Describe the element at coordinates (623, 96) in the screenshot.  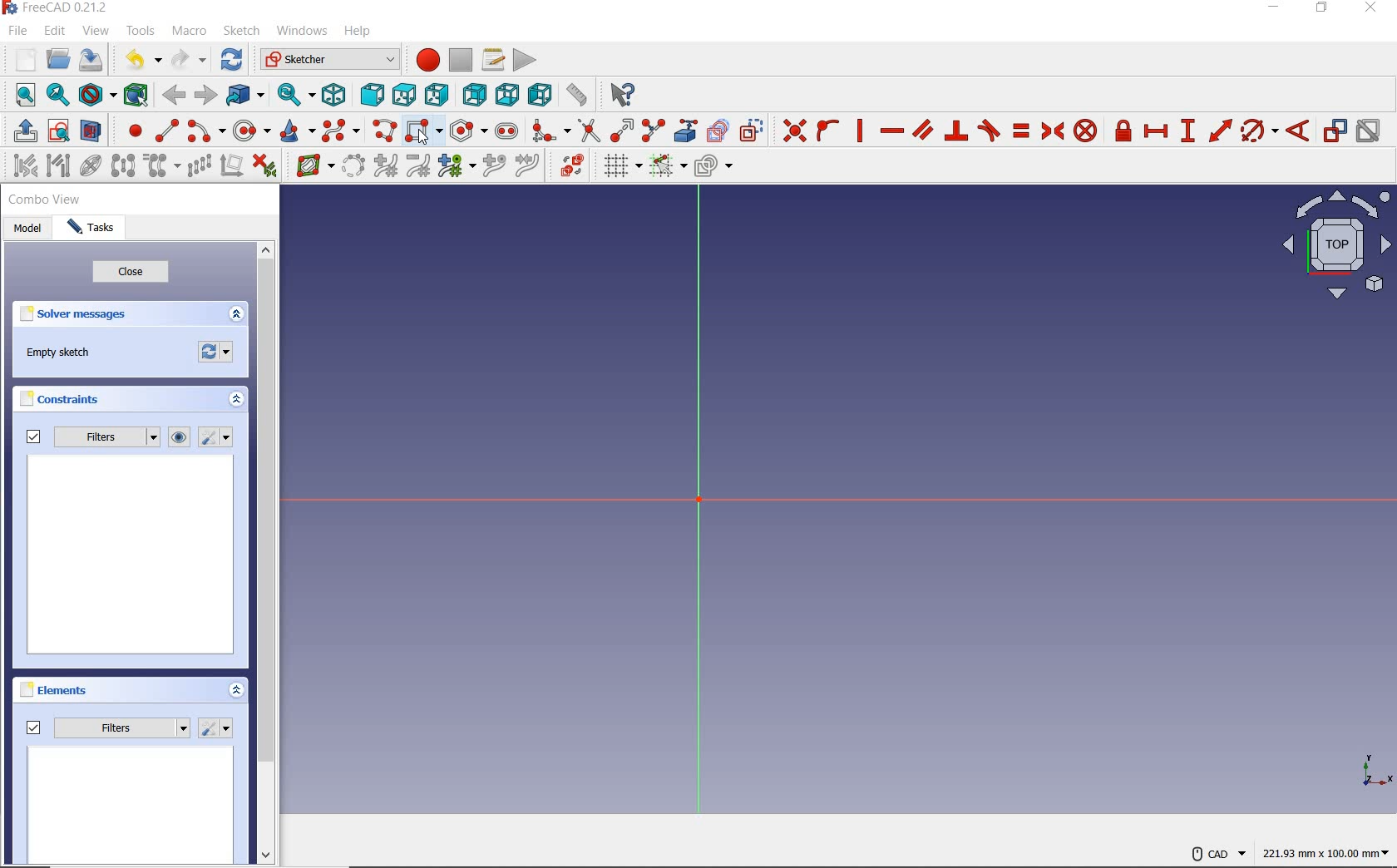
I see `what's this?` at that location.